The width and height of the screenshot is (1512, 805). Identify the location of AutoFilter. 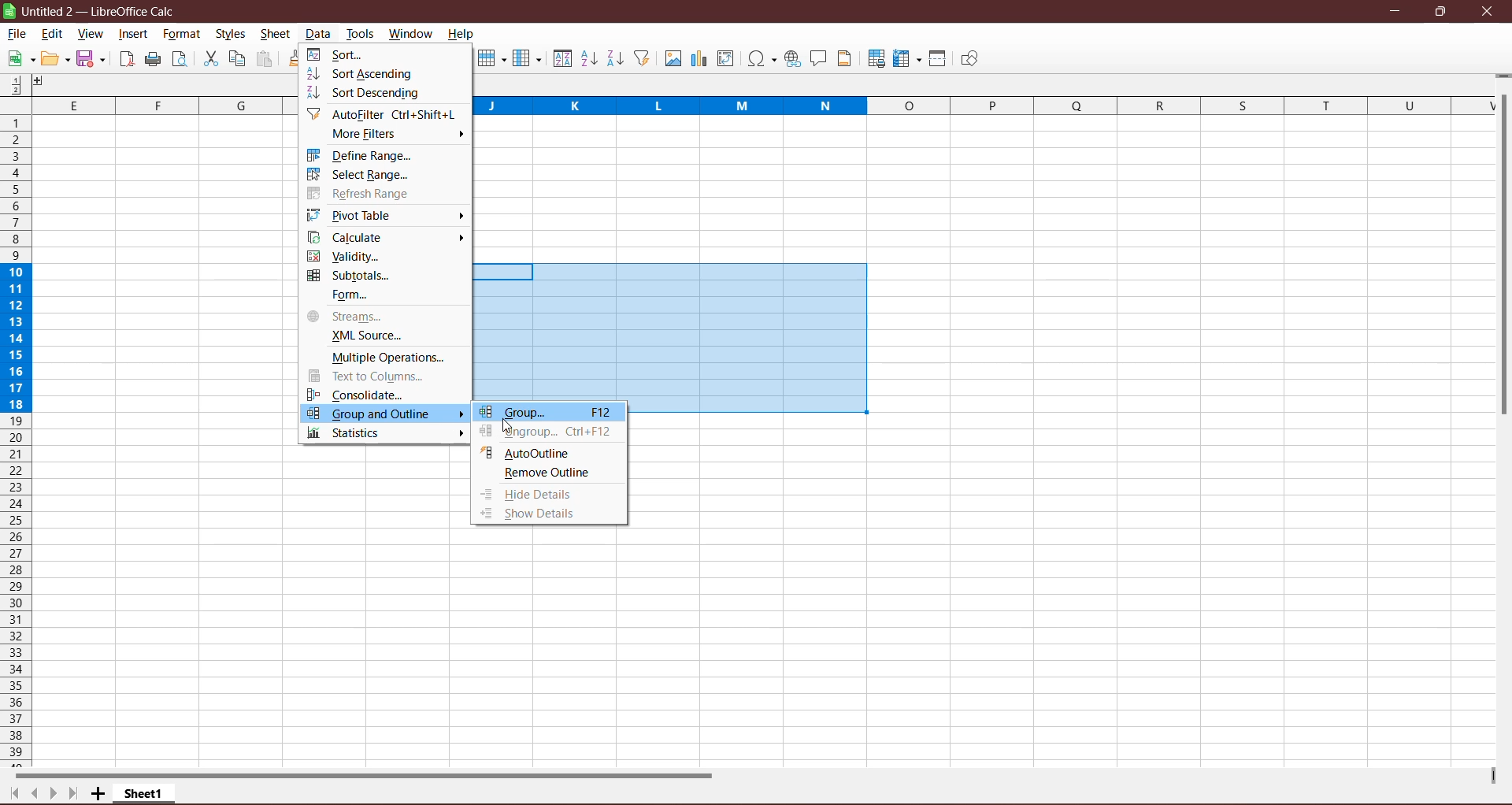
(643, 58).